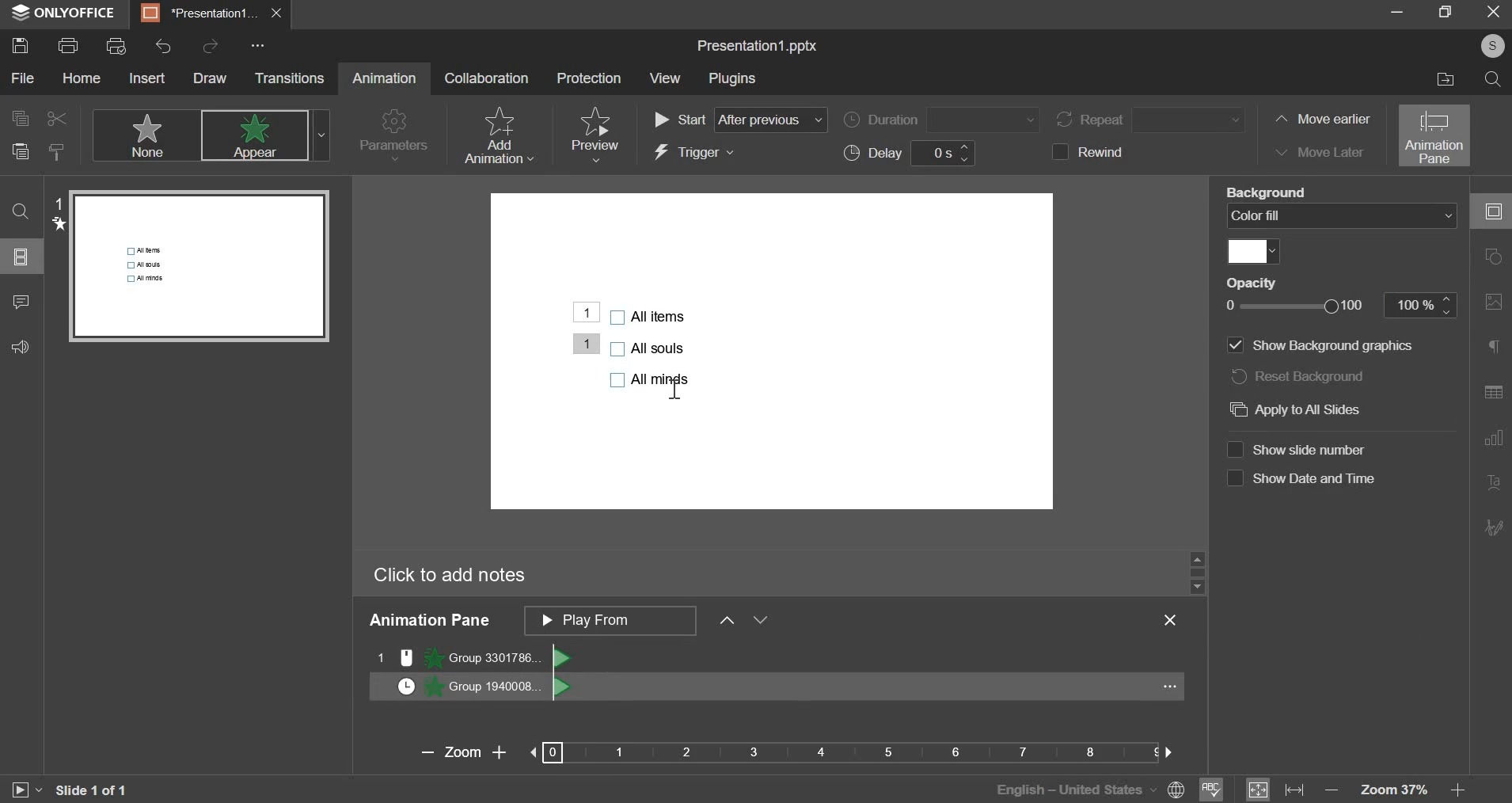  I want to click on copy, so click(18, 117).